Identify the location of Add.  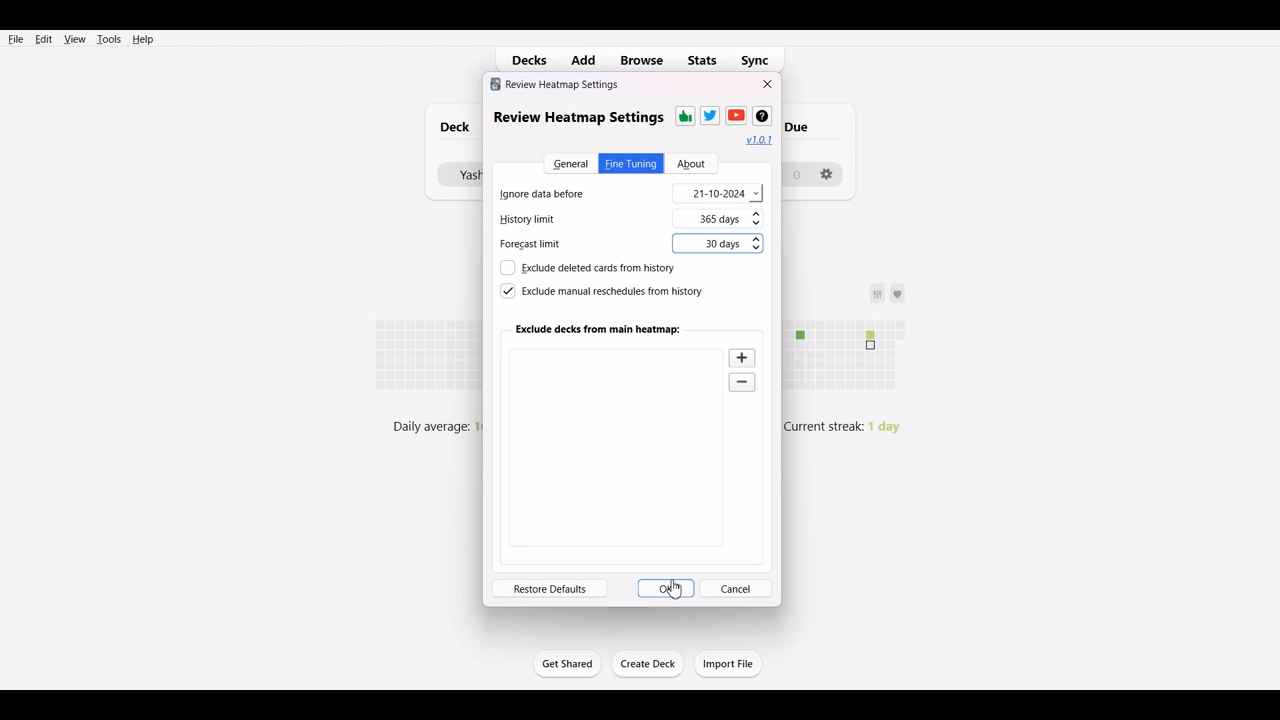
(587, 59).